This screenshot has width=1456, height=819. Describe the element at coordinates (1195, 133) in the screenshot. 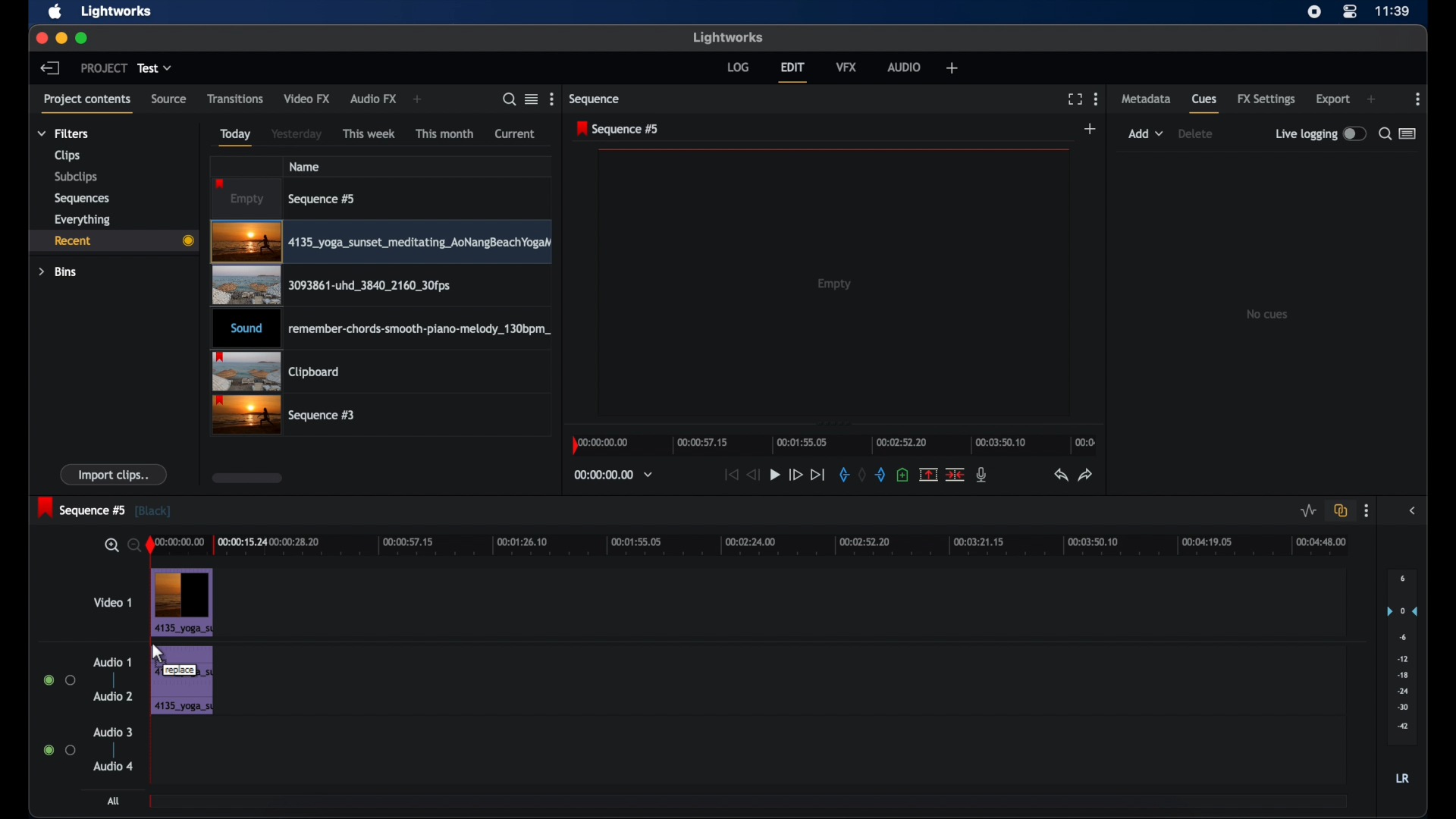

I see `delete` at that location.